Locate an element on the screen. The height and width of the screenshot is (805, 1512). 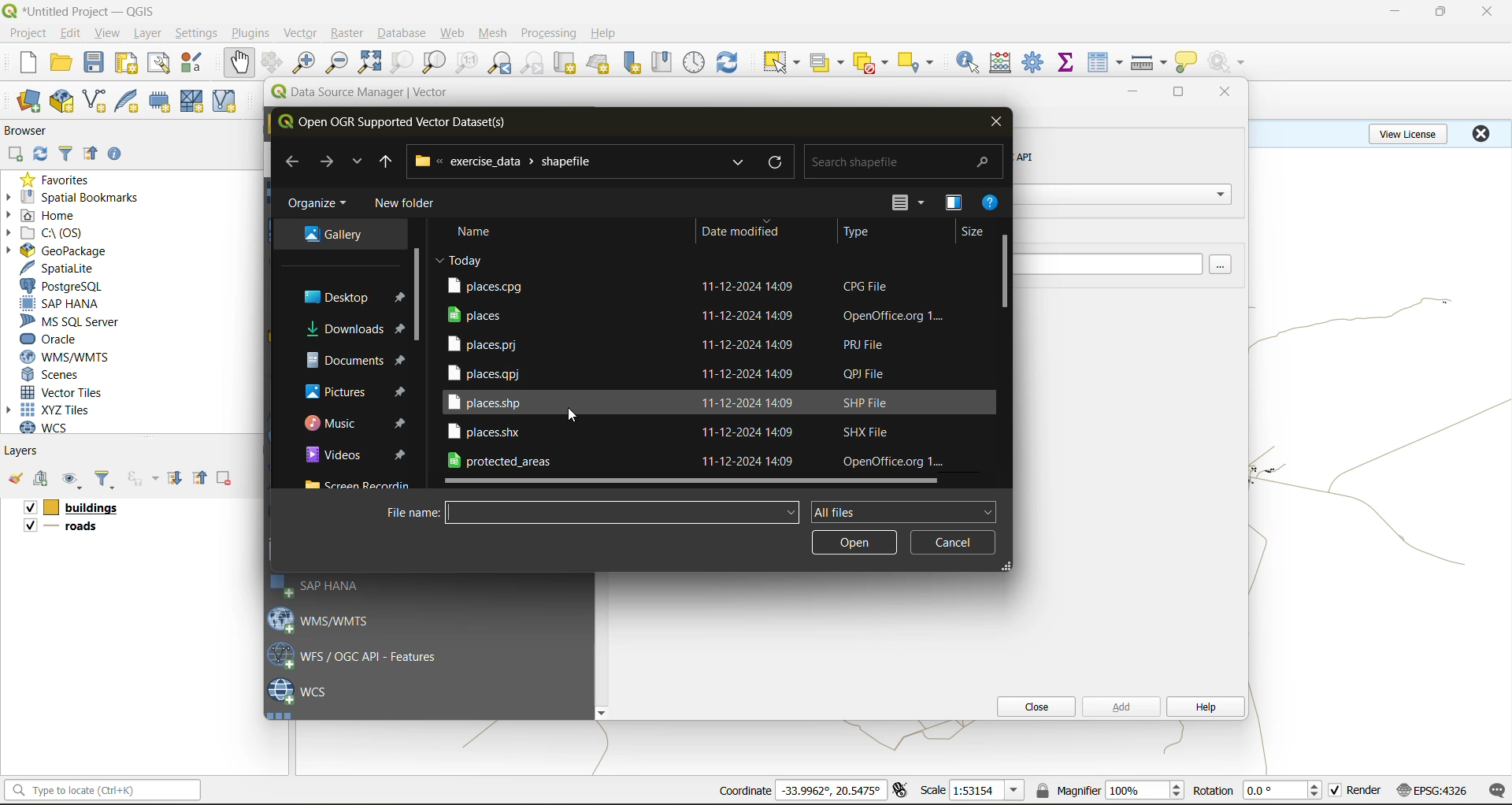
view license is located at coordinates (1411, 132).